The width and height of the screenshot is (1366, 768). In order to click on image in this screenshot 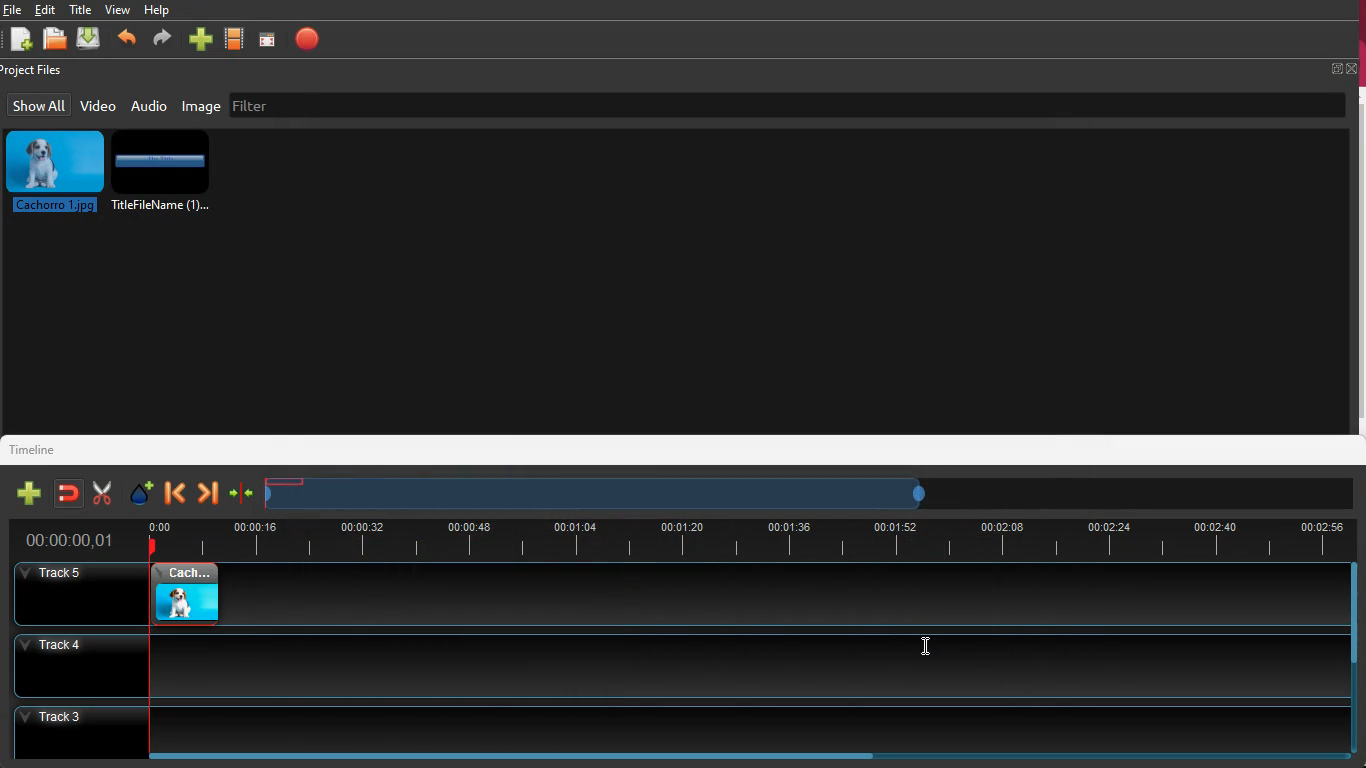, I will do `click(202, 106)`.